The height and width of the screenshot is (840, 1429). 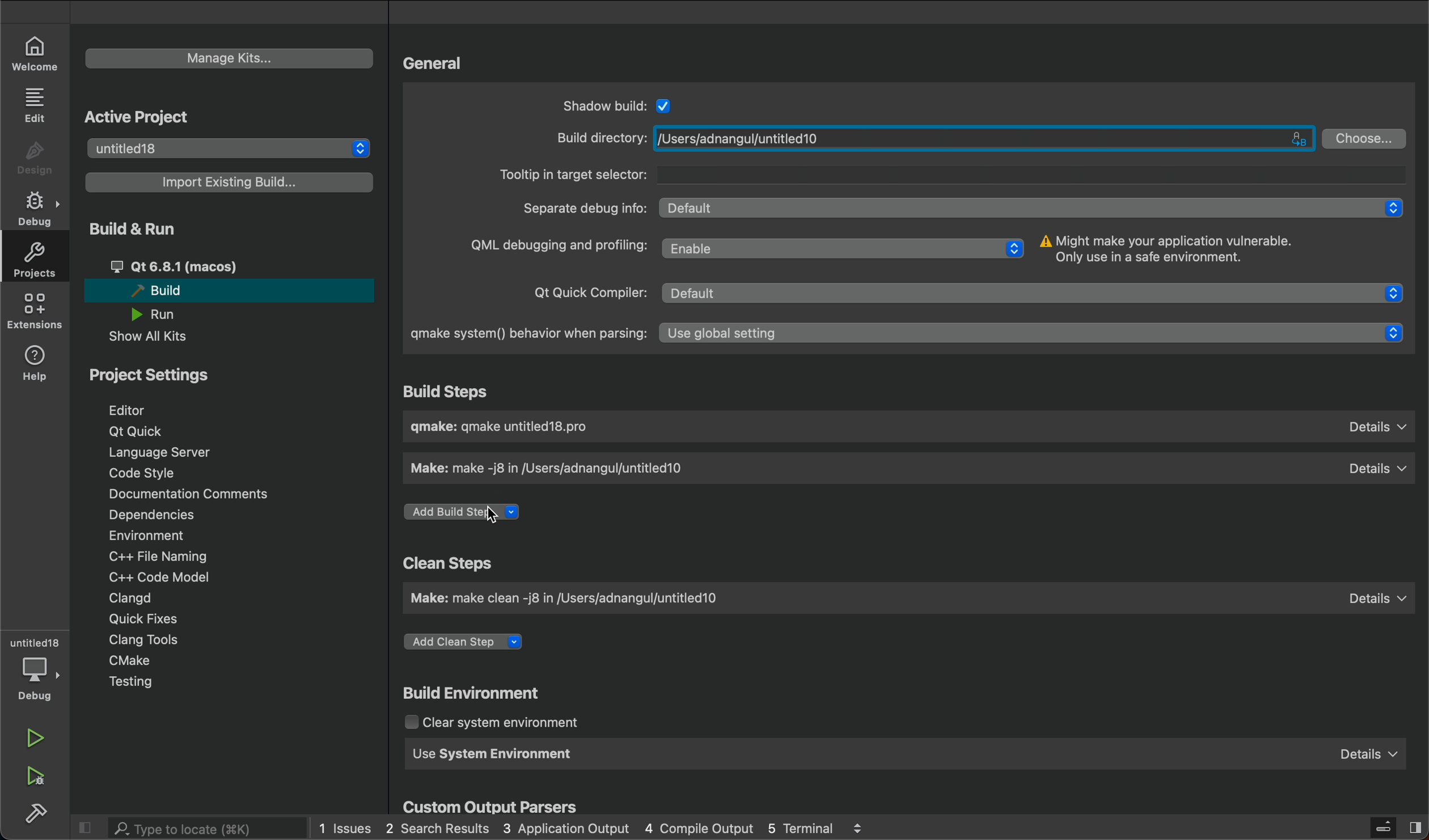 What do you see at coordinates (139, 431) in the screenshot?
I see `Qt Quick` at bounding box center [139, 431].